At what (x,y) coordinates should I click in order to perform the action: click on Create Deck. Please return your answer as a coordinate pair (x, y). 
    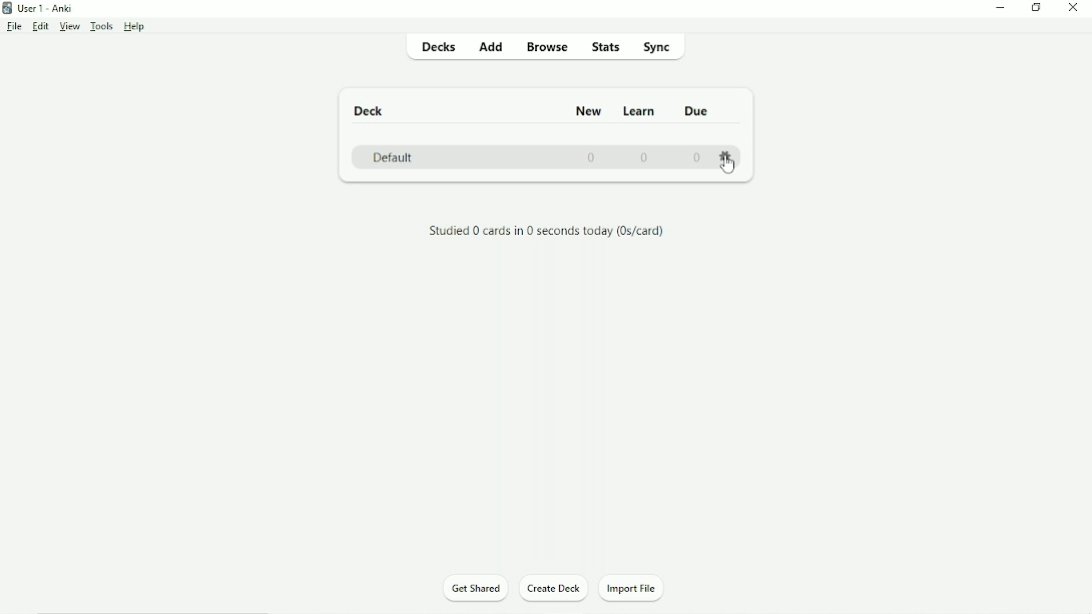
    Looking at the image, I should click on (556, 588).